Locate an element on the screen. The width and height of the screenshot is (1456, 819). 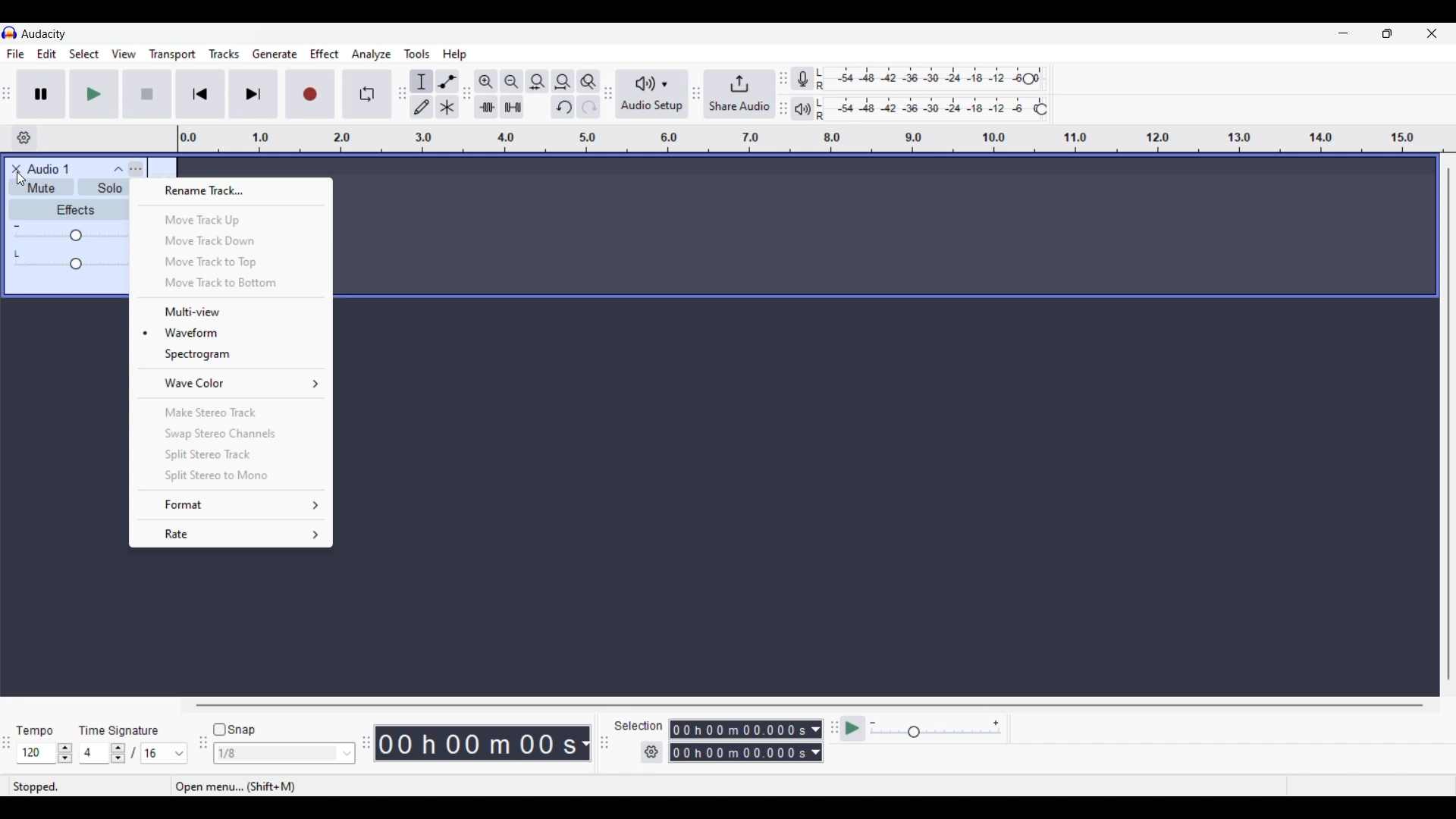
Move track down is located at coordinates (231, 240).